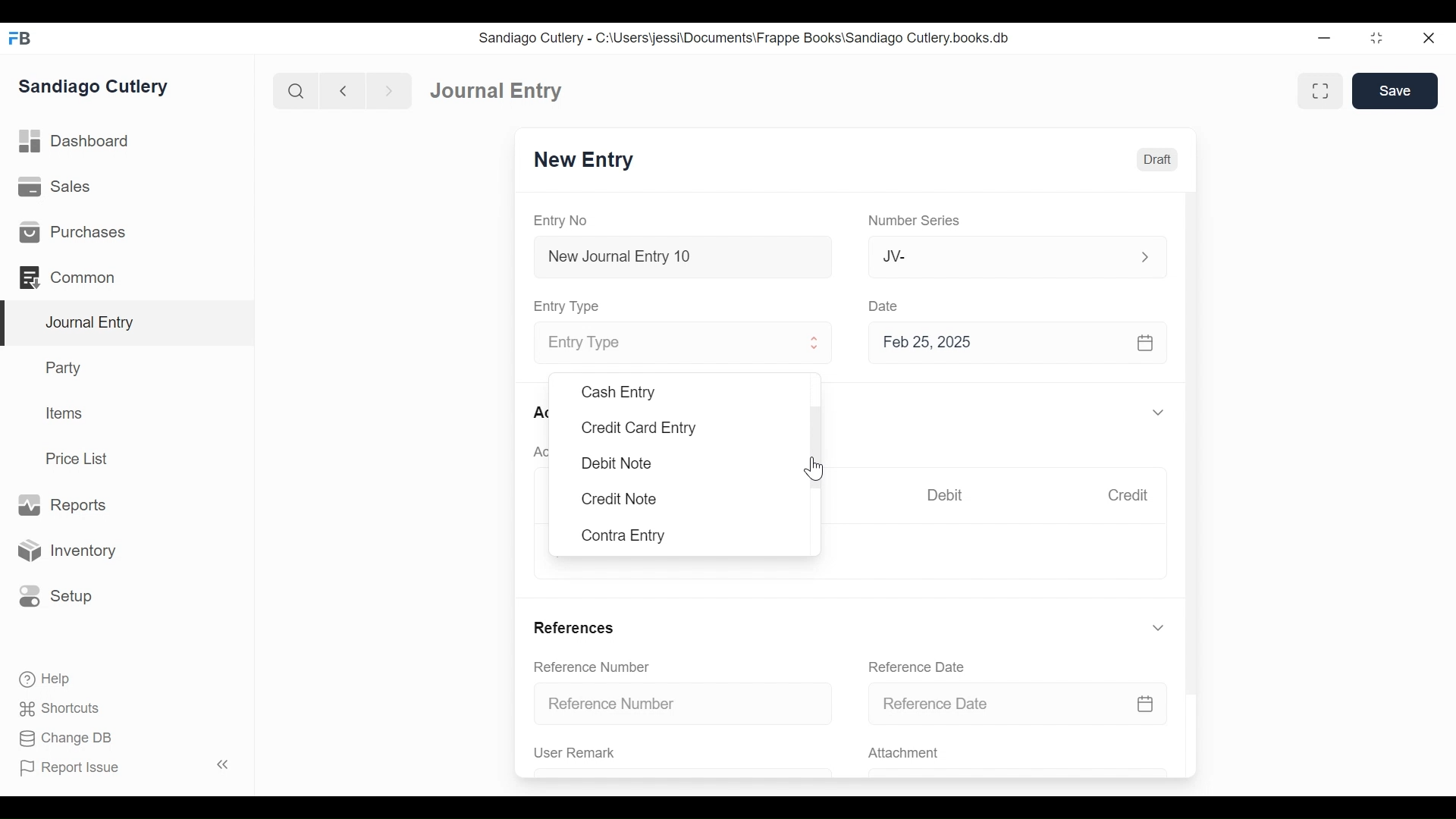  What do you see at coordinates (814, 439) in the screenshot?
I see `Vertical Scroll bar` at bounding box center [814, 439].